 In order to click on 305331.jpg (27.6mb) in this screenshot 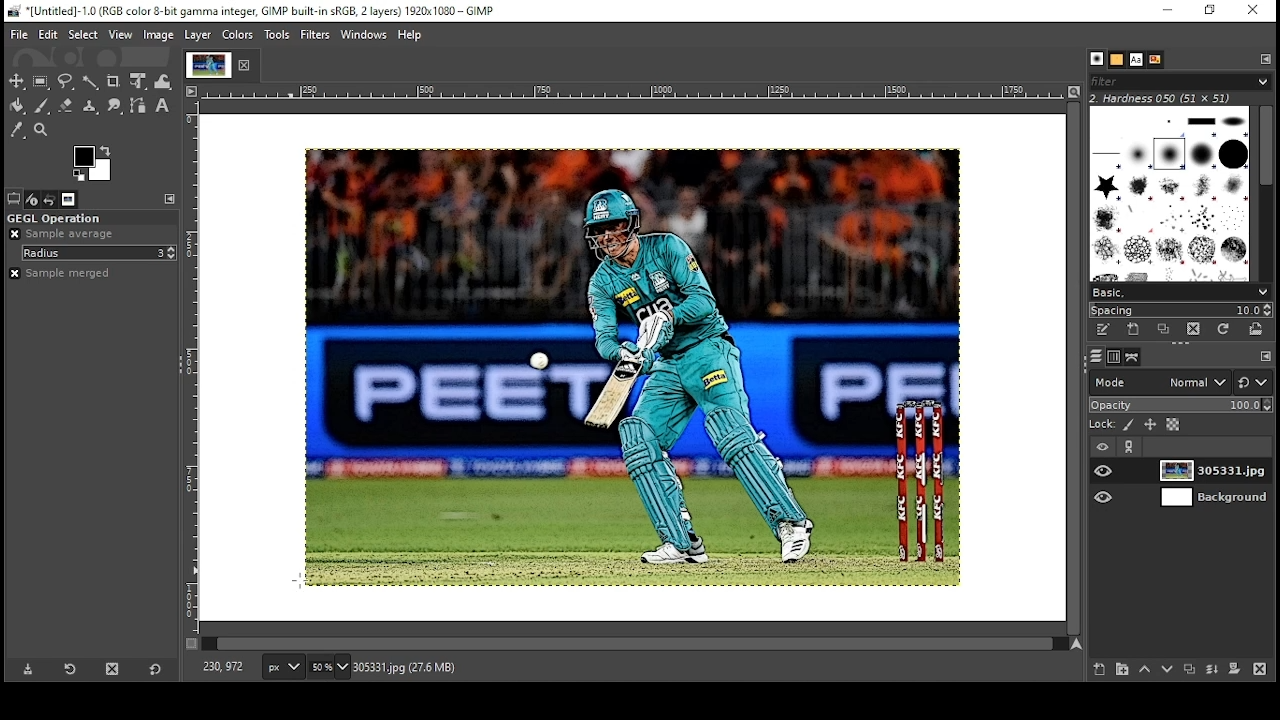, I will do `click(405, 668)`.